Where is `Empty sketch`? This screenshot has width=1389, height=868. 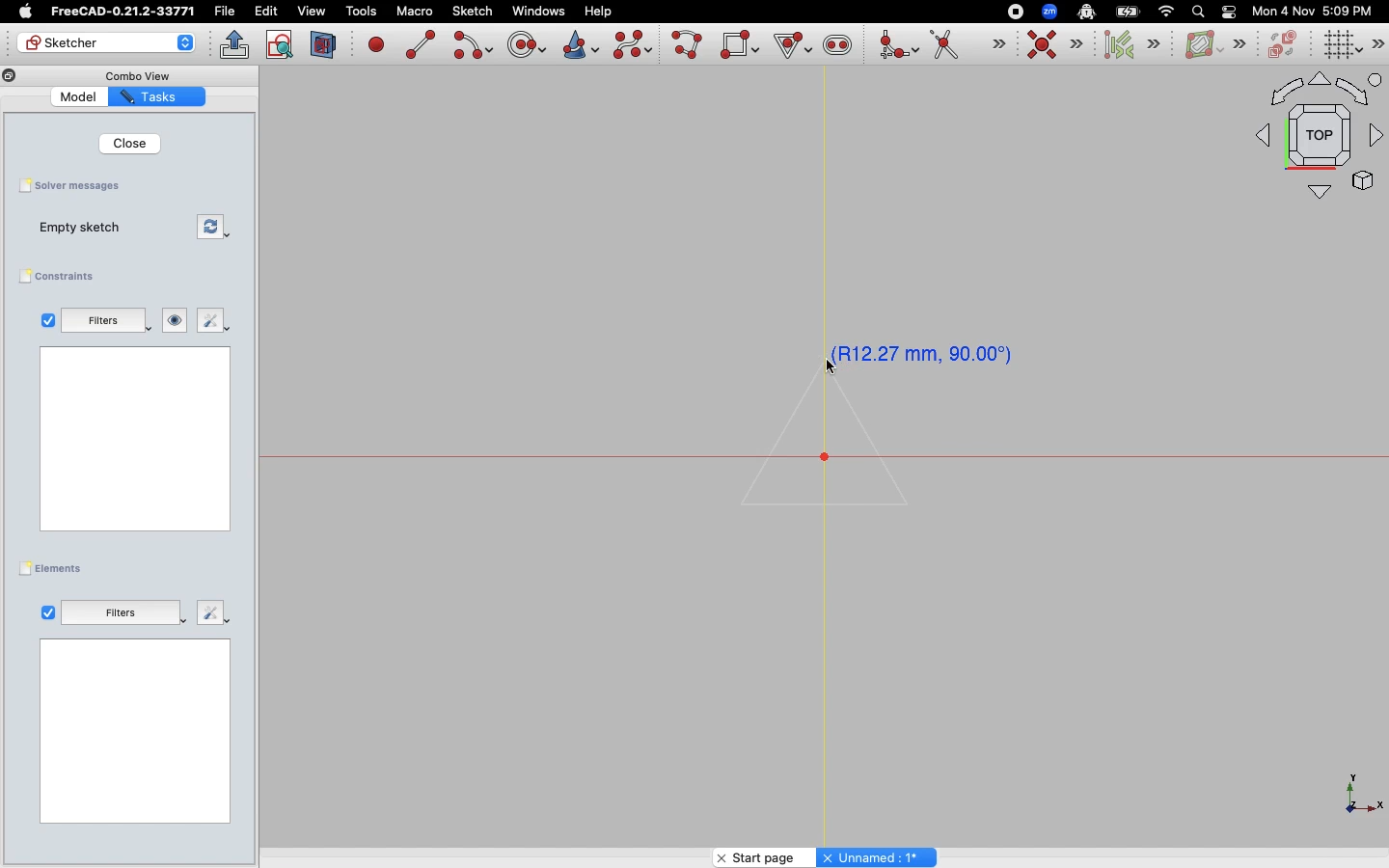 Empty sketch is located at coordinates (83, 229).